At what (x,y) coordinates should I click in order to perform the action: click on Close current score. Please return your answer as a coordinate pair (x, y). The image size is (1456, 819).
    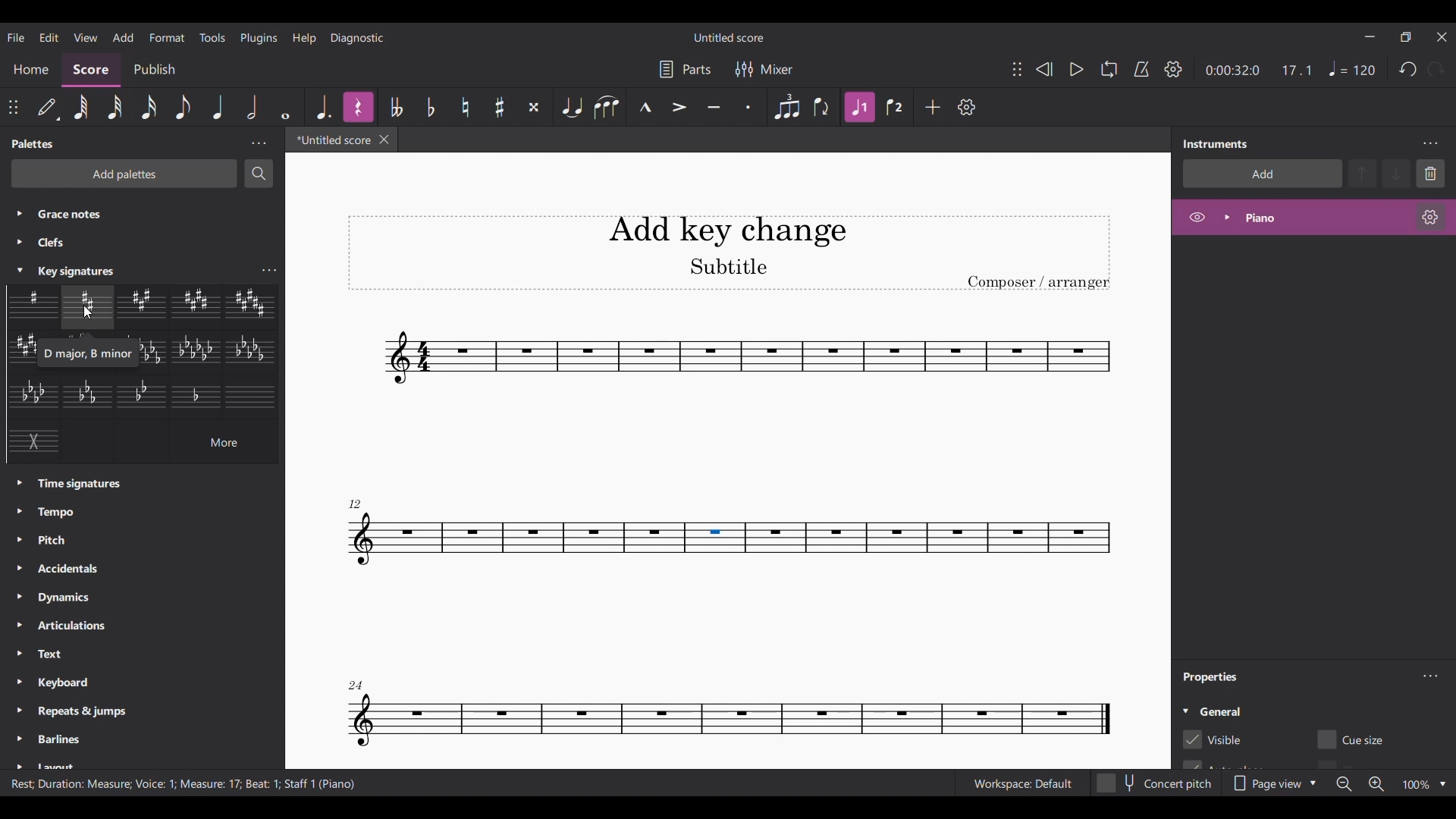
    Looking at the image, I should click on (384, 139).